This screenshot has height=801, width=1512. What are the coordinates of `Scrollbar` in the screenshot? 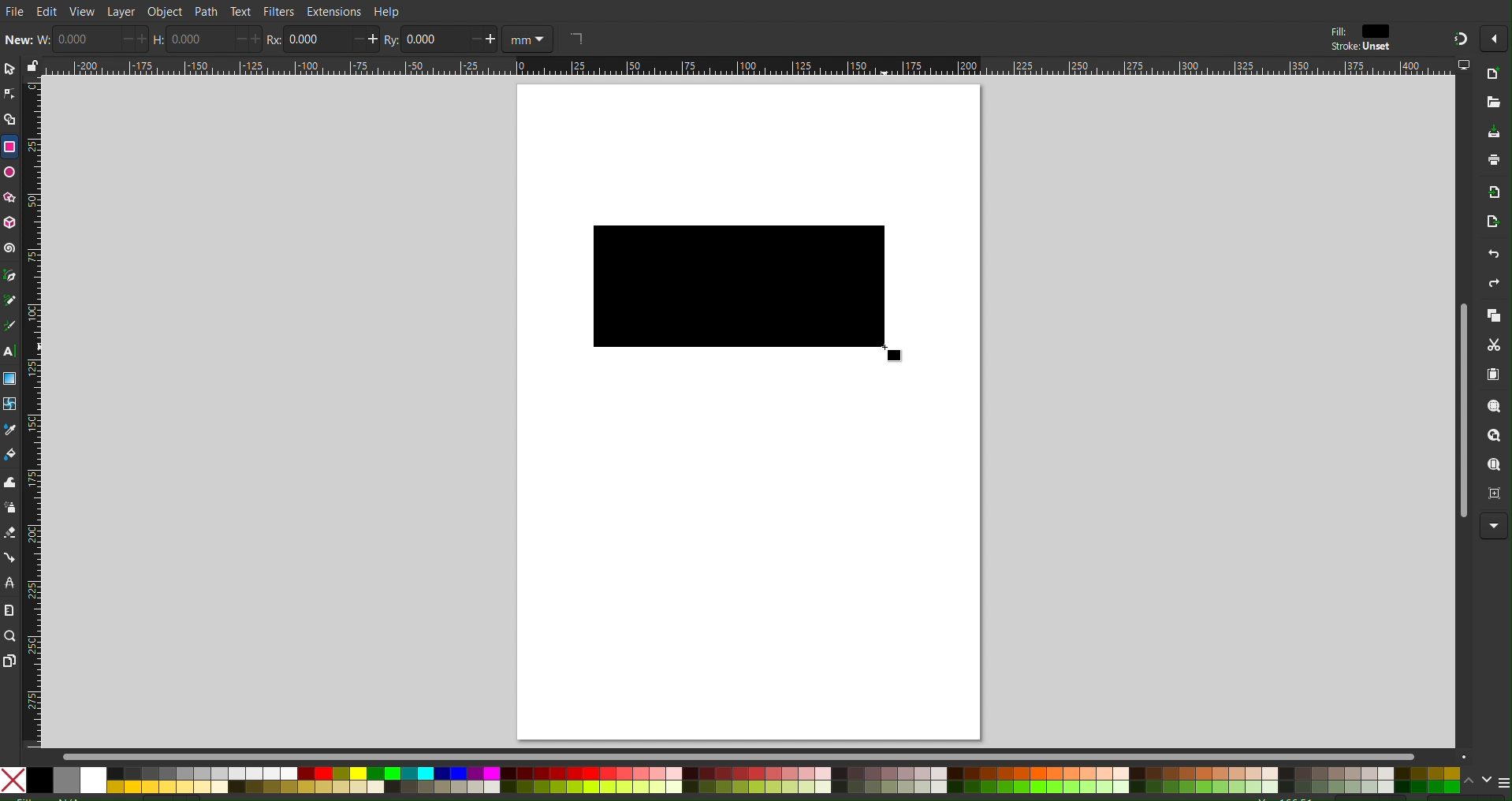 It's located at (1462, 414).